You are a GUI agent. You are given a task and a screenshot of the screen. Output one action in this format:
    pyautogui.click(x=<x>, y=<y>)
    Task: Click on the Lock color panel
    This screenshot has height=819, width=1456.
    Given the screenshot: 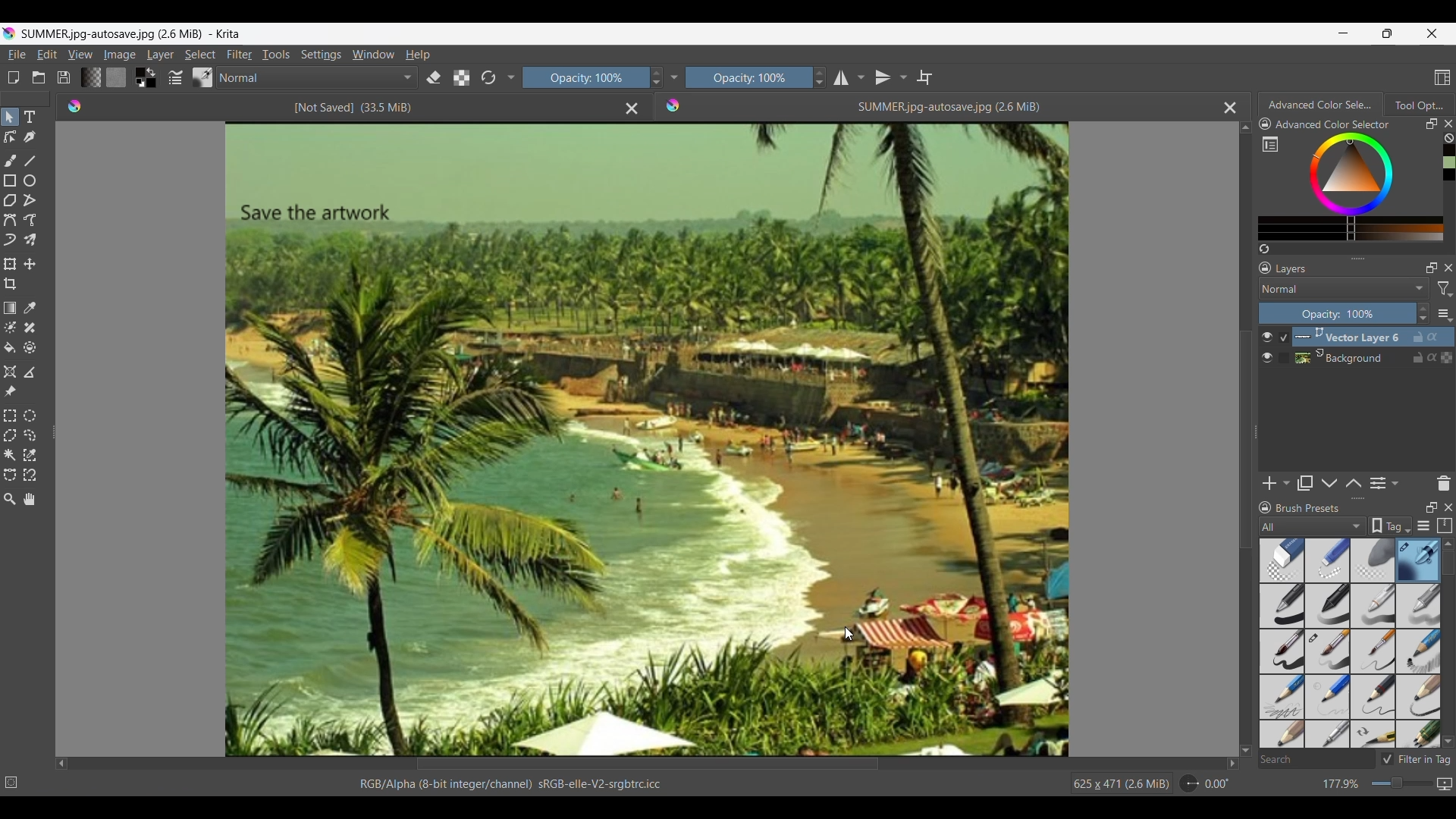 What is the action you would take?
    pyautogui.click(x=1265, y=124)
    